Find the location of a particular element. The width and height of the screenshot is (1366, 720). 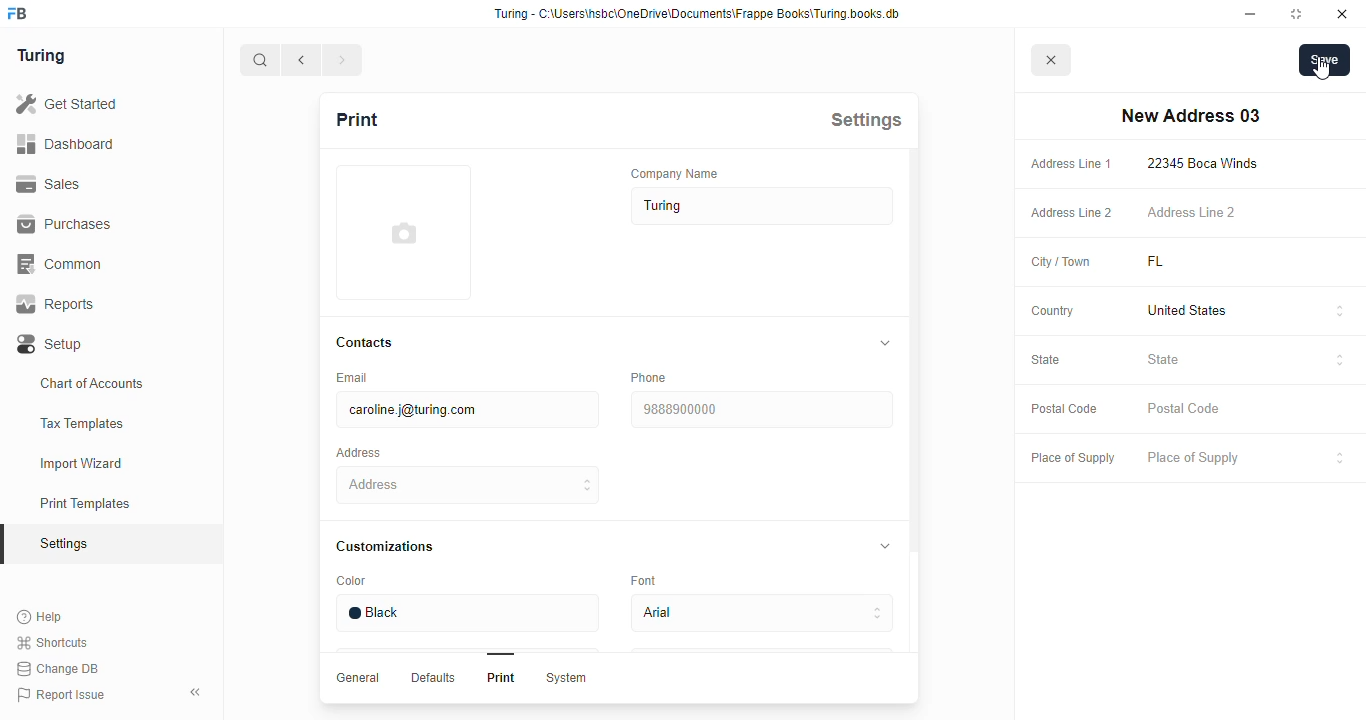

scroll bar is located at coordinates (913, 426).